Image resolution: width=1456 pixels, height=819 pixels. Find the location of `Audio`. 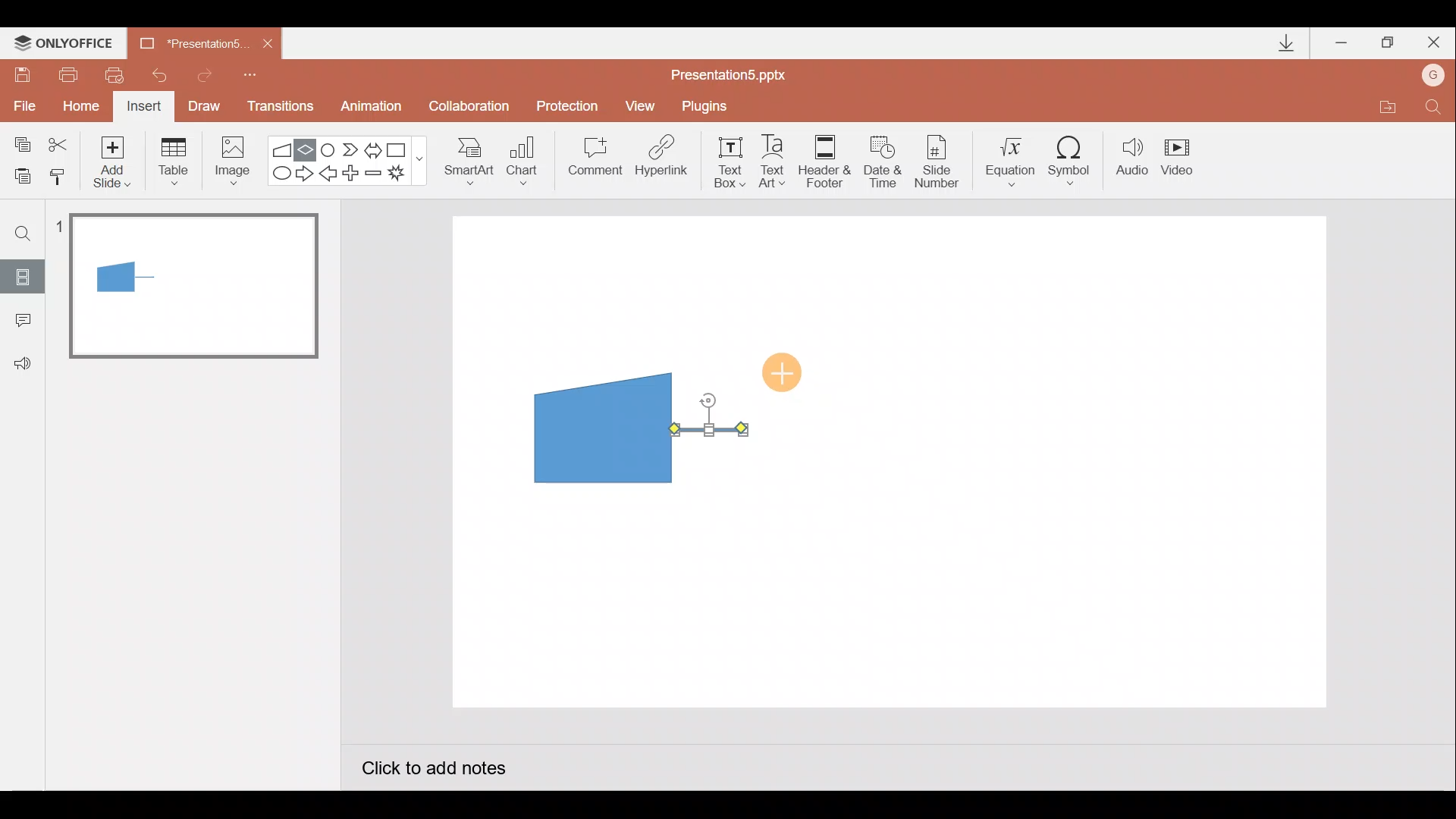

Audio is located at coordinates (1133, 160).